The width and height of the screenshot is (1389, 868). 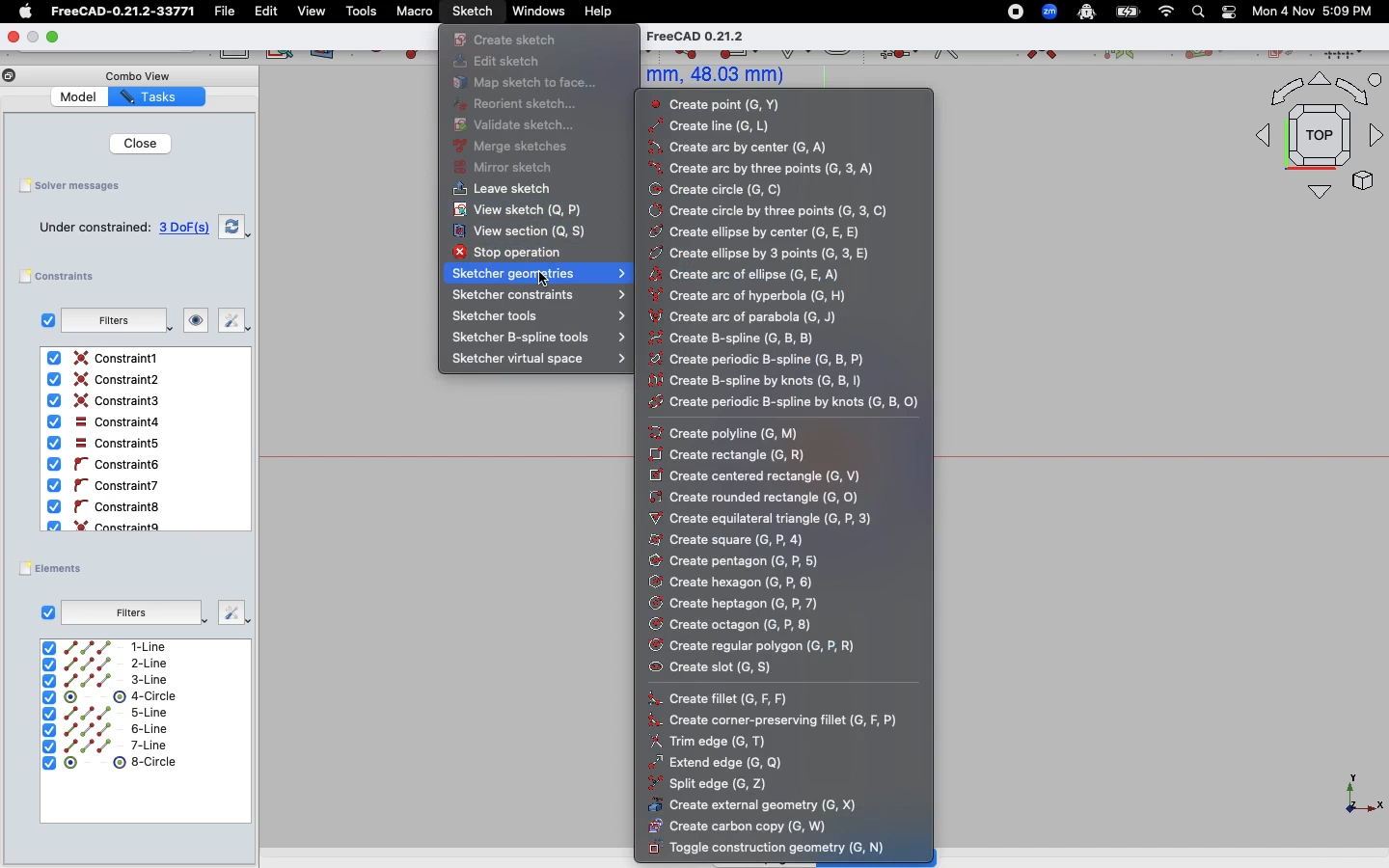 What do you see at coordinates (1351, 800) in the screenshot?
I see `X, Y, Z` at bounding box center [1351, 800].